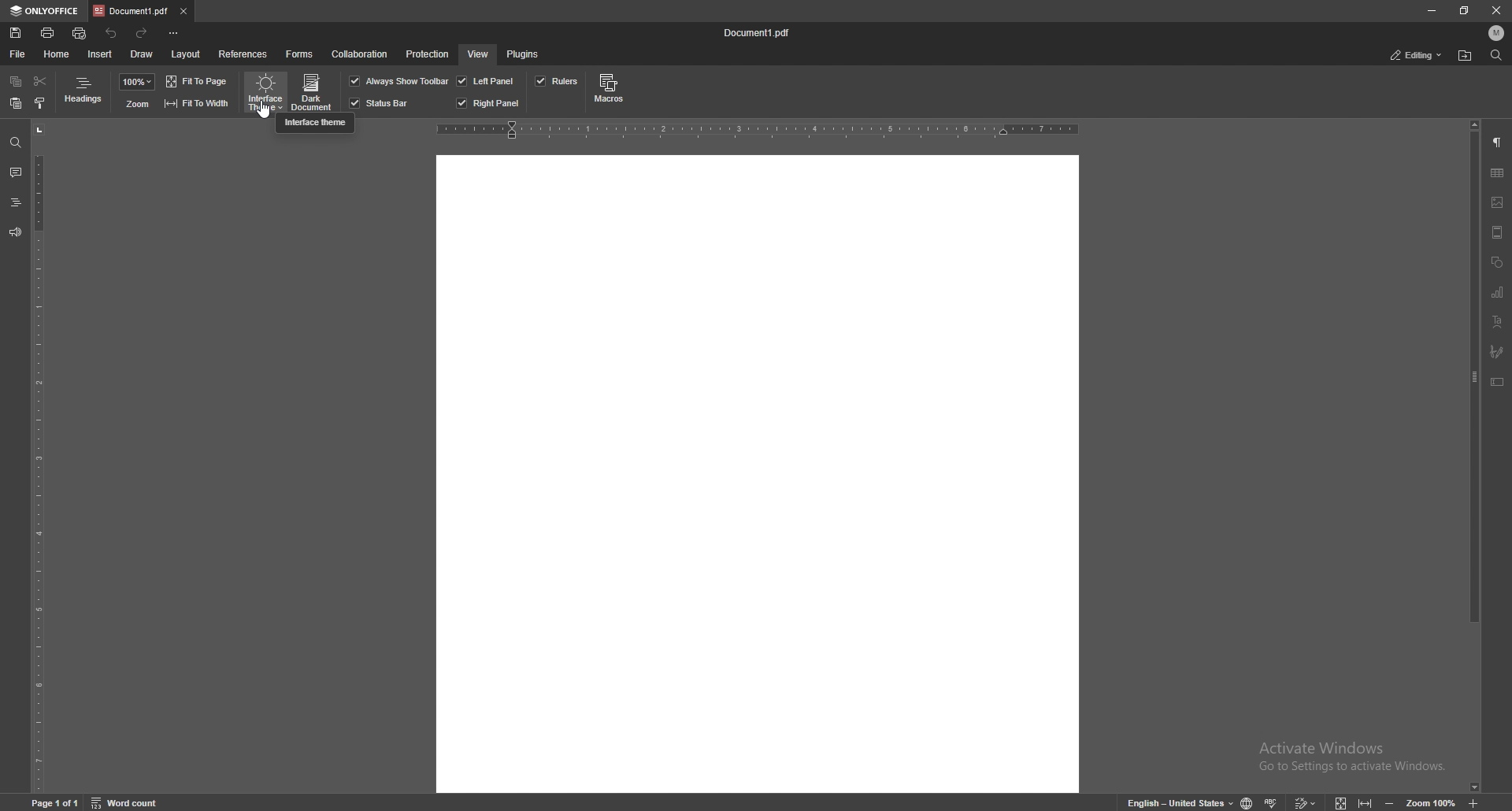 This screenshot has width=1512, height=811. What do you see at coordinates (490, 103) in the screenshot?
I see `right panel` at bounding box center [490, 103].